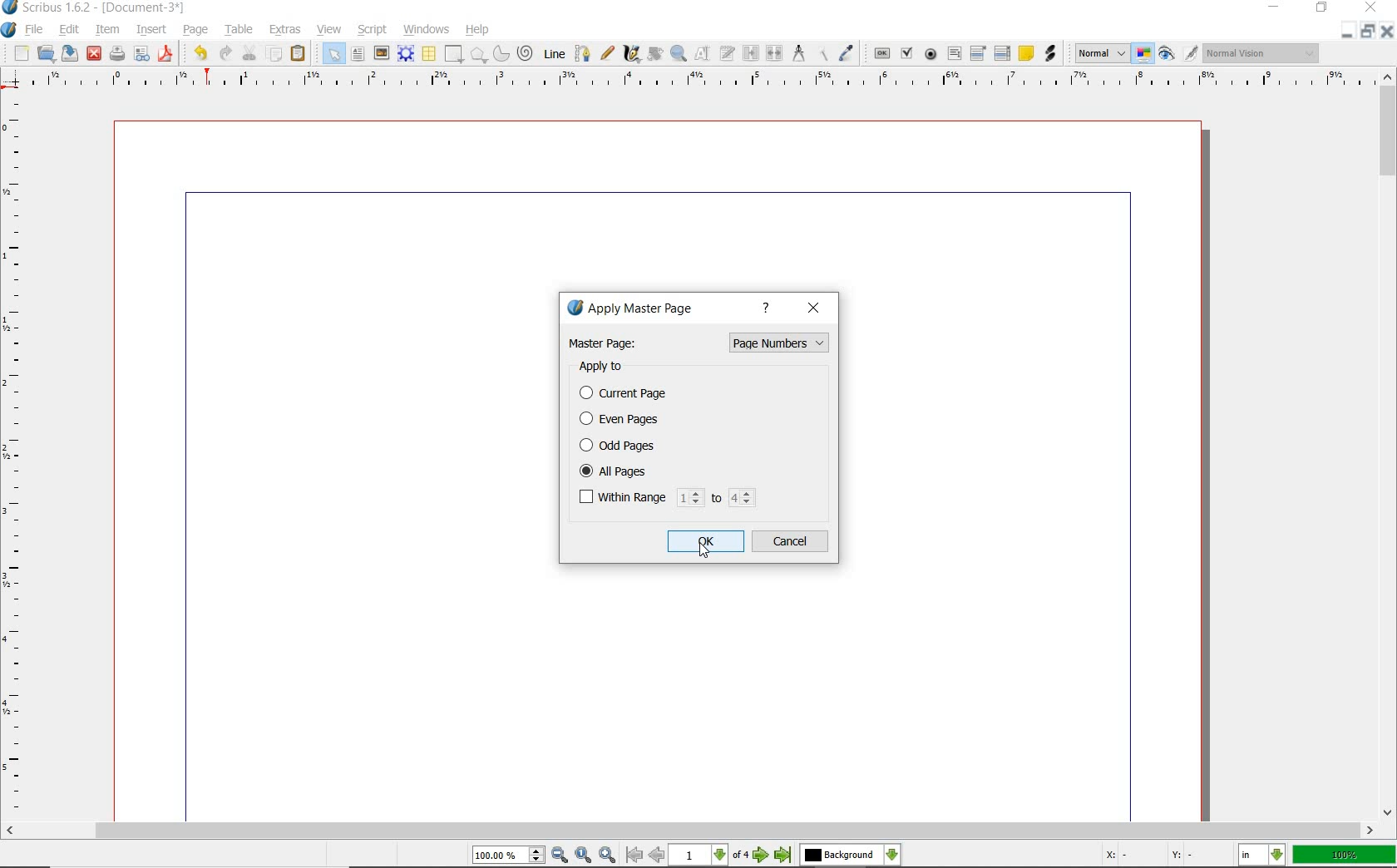  I want to click on zoom factor 100%, so click(1345, 856).